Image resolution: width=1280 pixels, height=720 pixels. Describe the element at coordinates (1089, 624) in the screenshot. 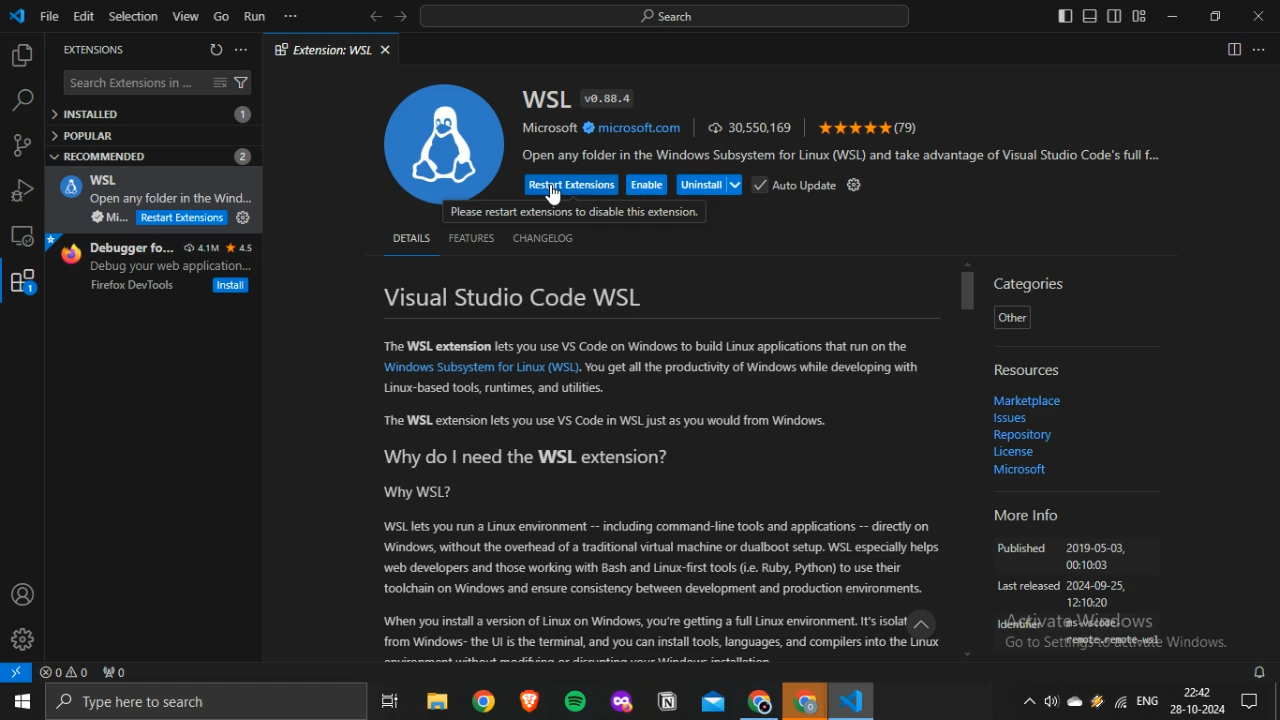

I see `Ws-vscode-` at that location.